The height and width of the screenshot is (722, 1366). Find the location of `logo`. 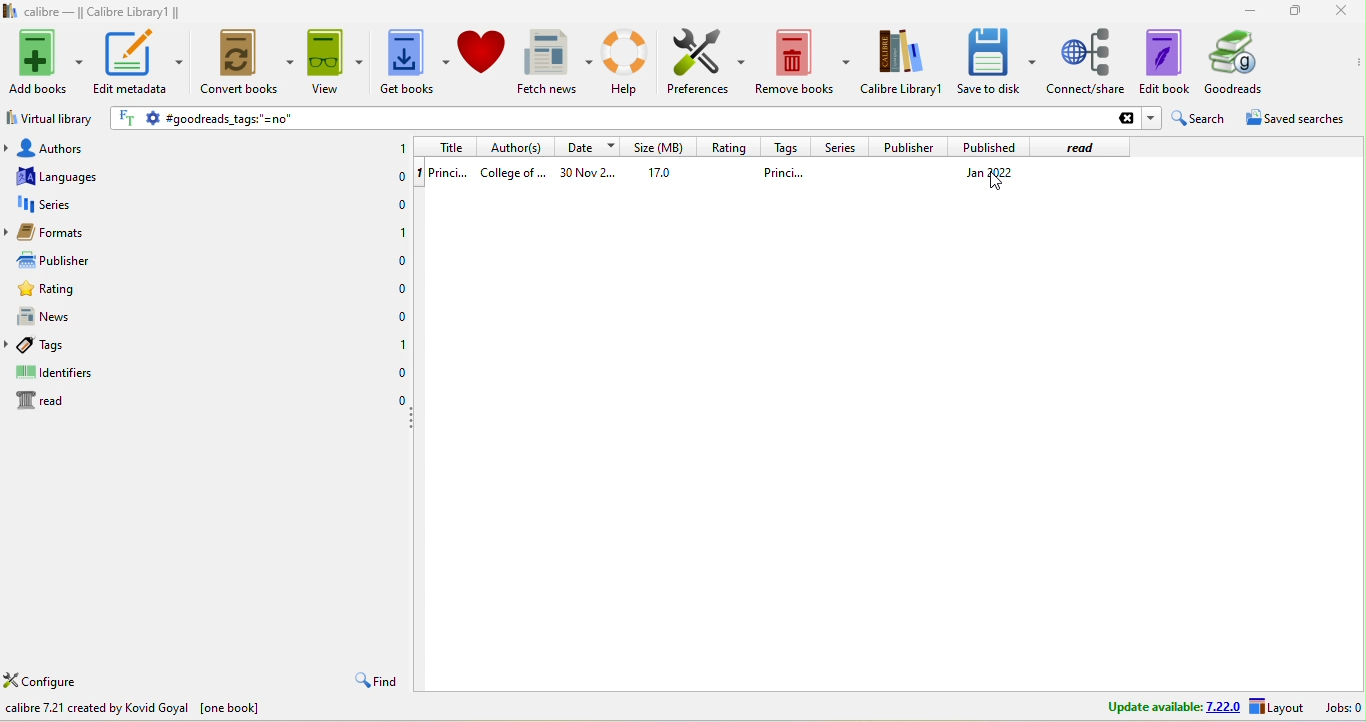

logo is located at coordinates (9, 10).